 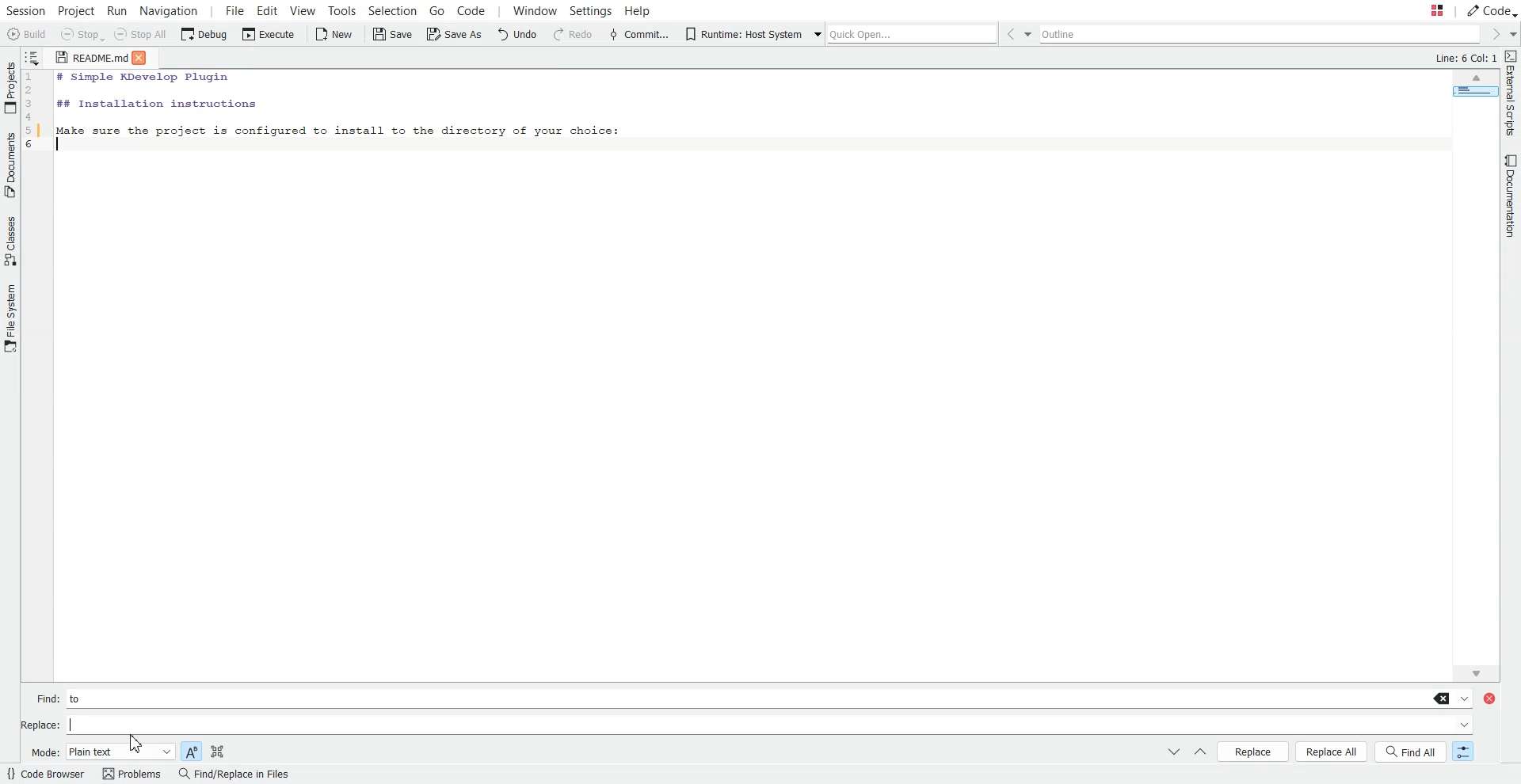 I want to click on Make sure the project is configured to install to the directory of your choice:, so click(x=338, y=128).